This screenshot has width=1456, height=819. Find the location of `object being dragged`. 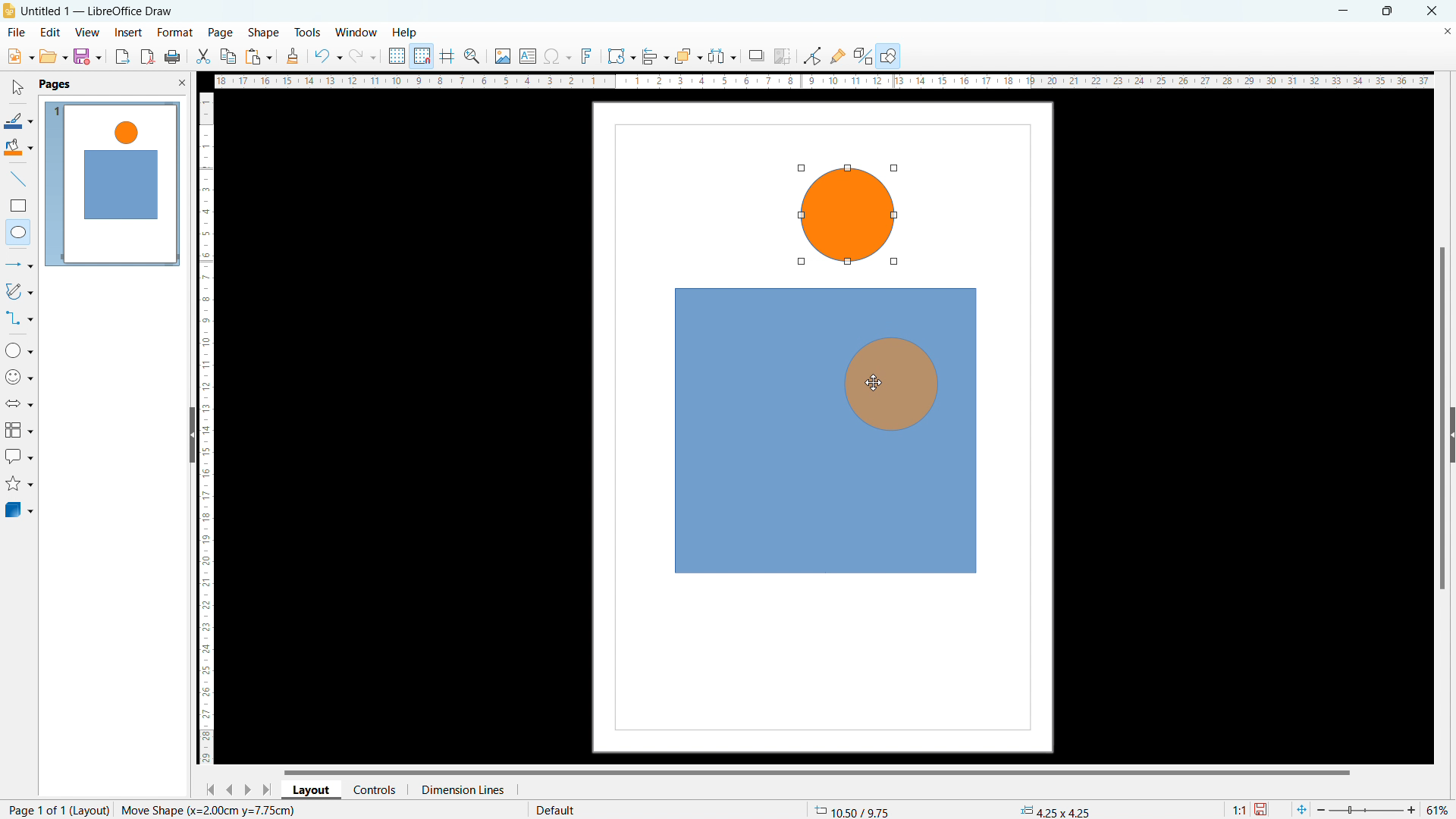

object being dragged is located at coordinates (890, 382).